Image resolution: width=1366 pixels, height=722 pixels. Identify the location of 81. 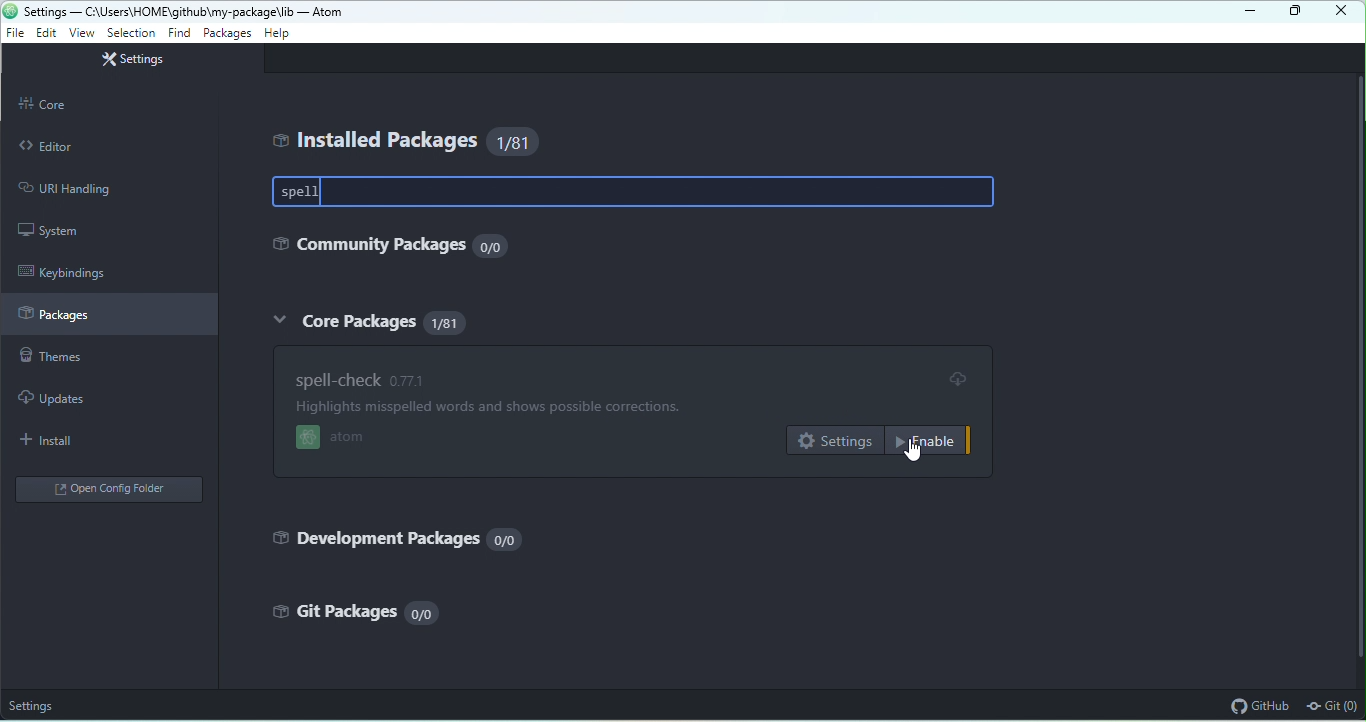
(511, 142).